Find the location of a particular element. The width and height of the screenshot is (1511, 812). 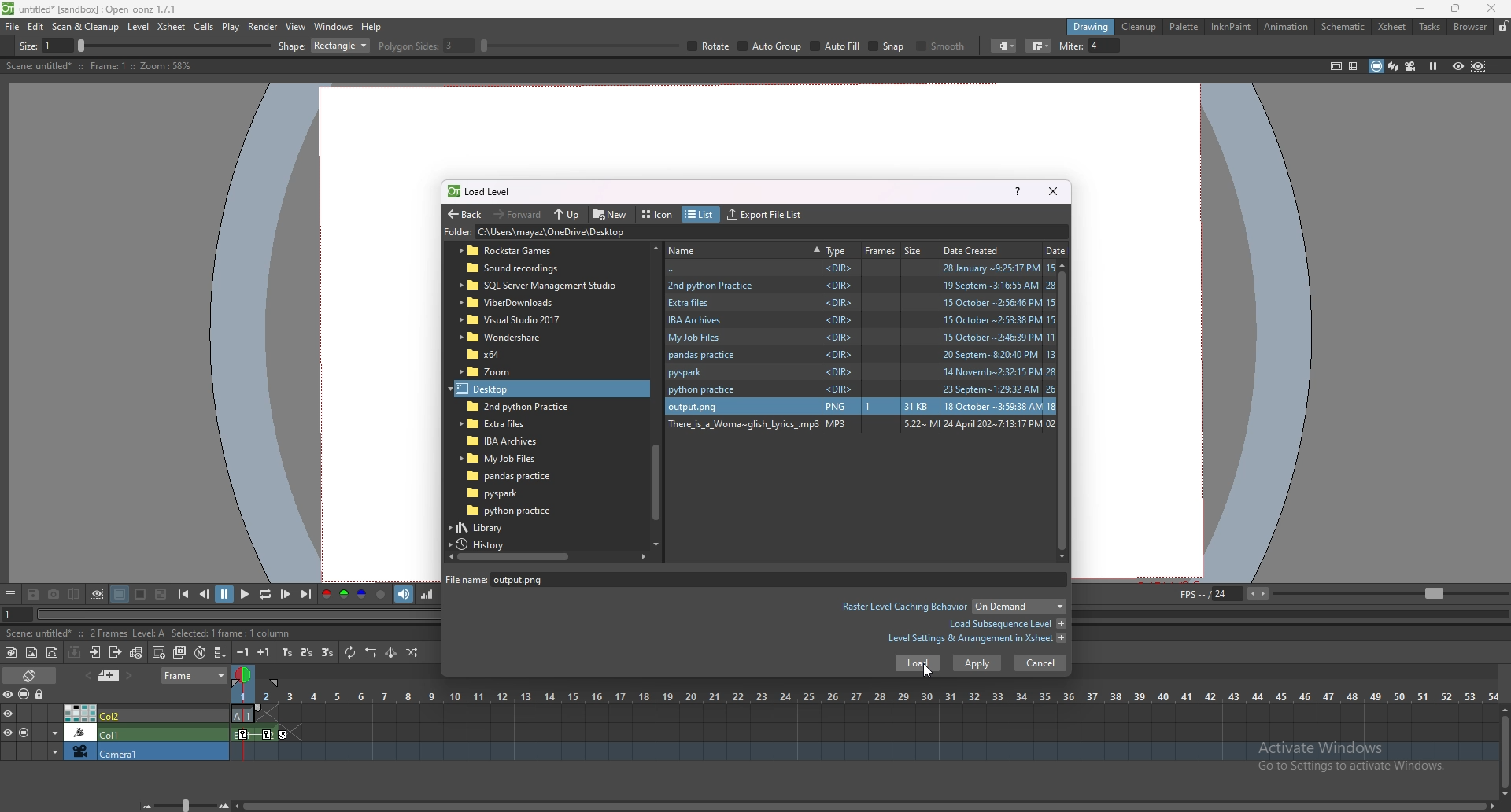

folder is located at coordinates (538, 286).